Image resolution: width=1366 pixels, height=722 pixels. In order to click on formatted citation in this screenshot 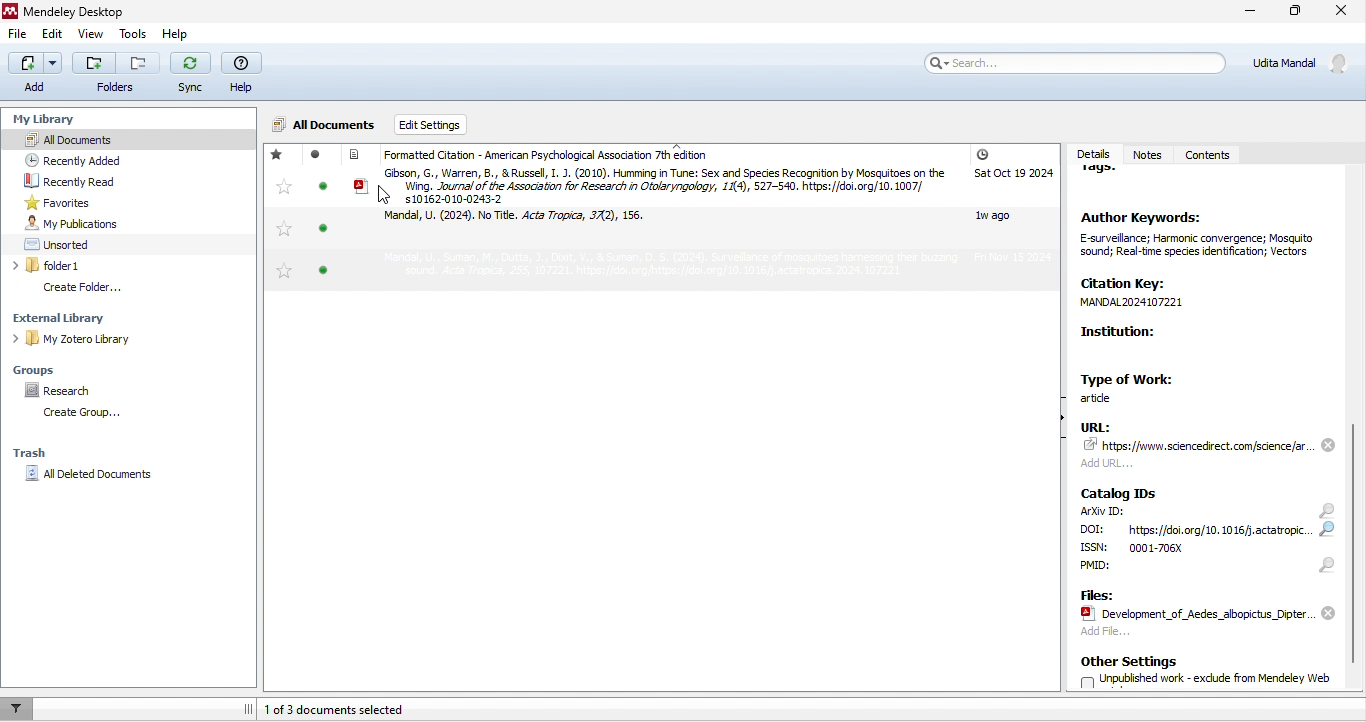, I will do `click(538, 155)`.